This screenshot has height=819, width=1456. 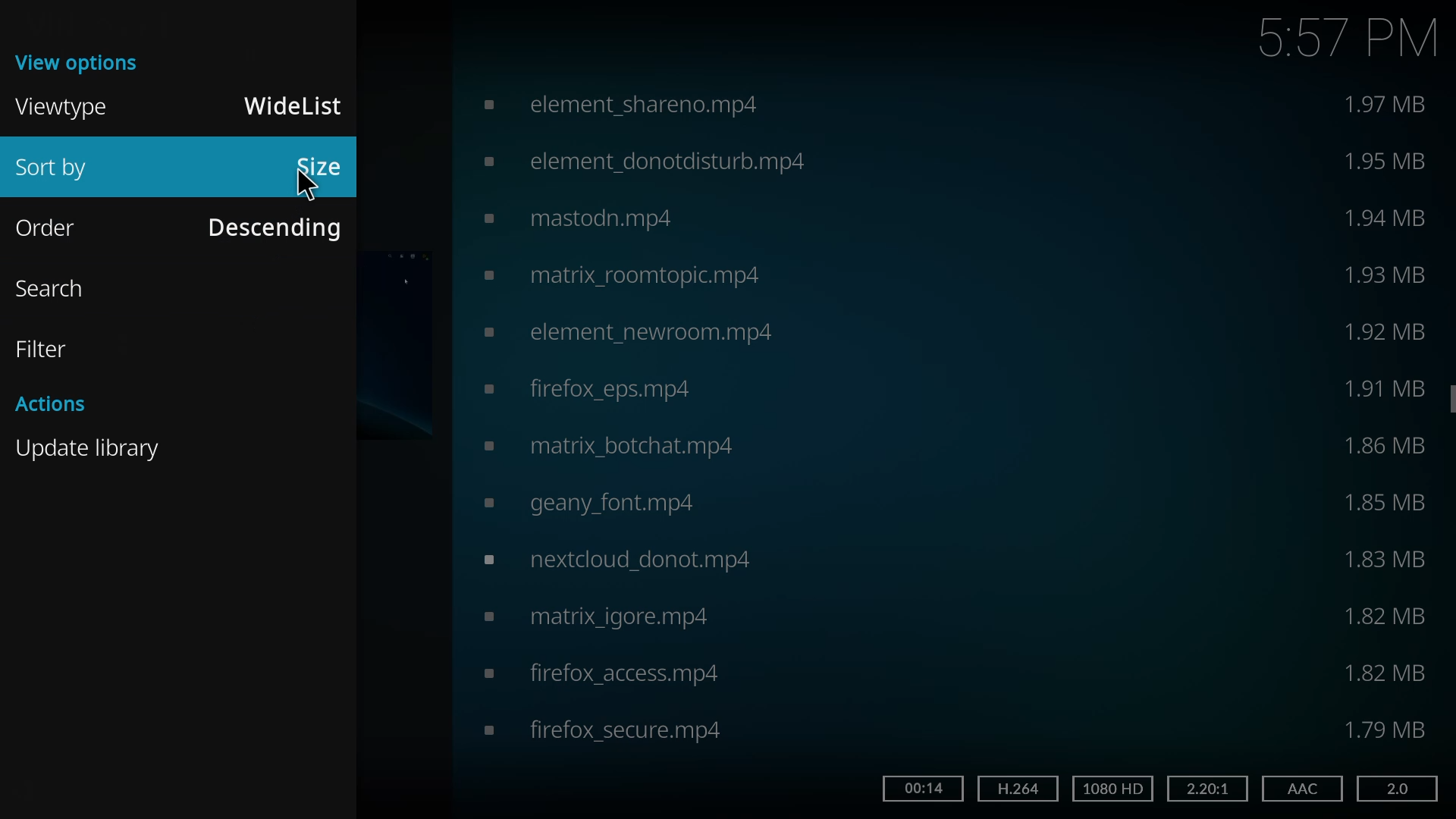 What do you see at coordinates (592, 503) in the screenshot?
I see `video` at bounding box center [592, 503].